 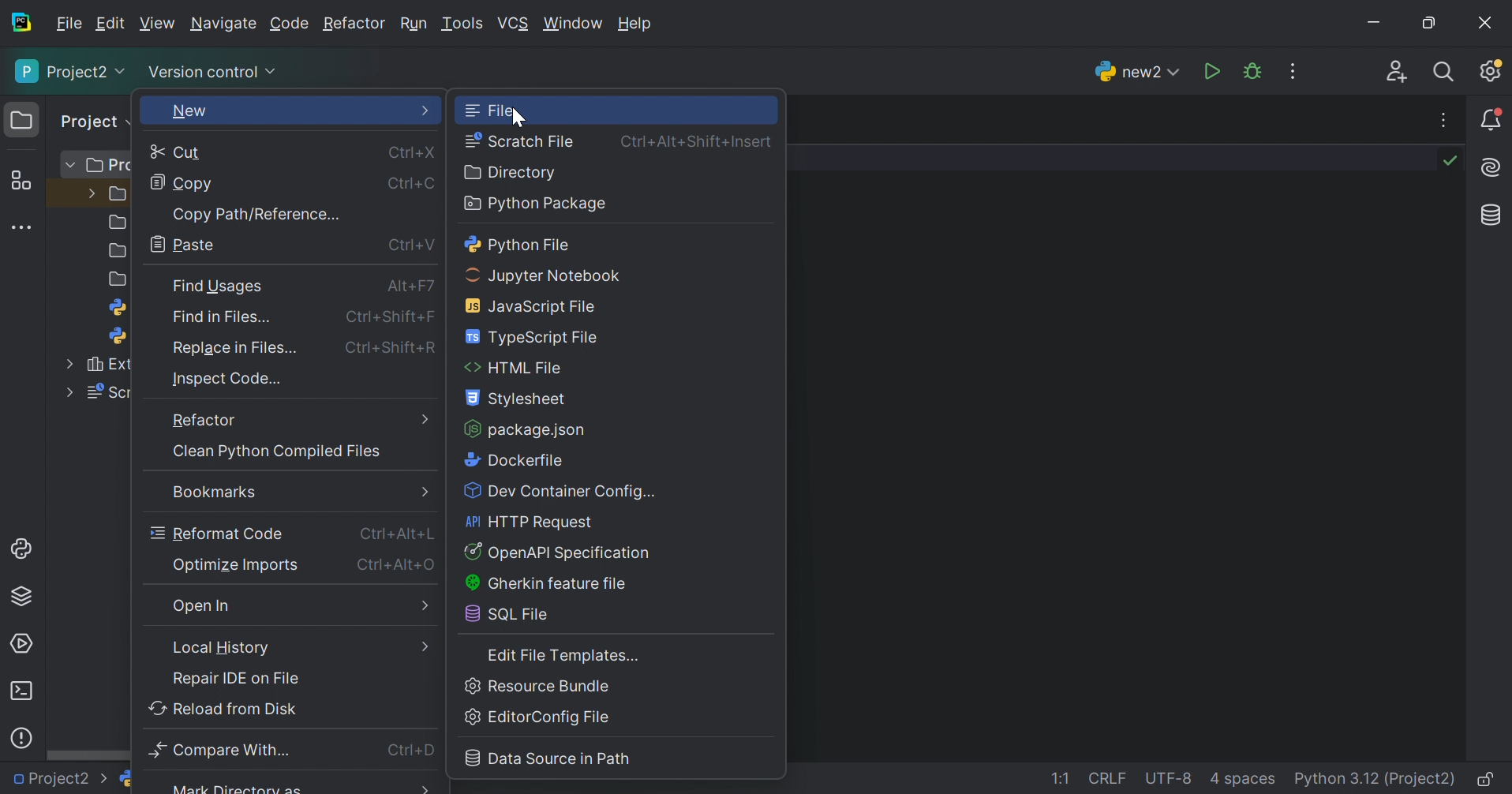 I want to click on Project, so click(x=91, y=121).